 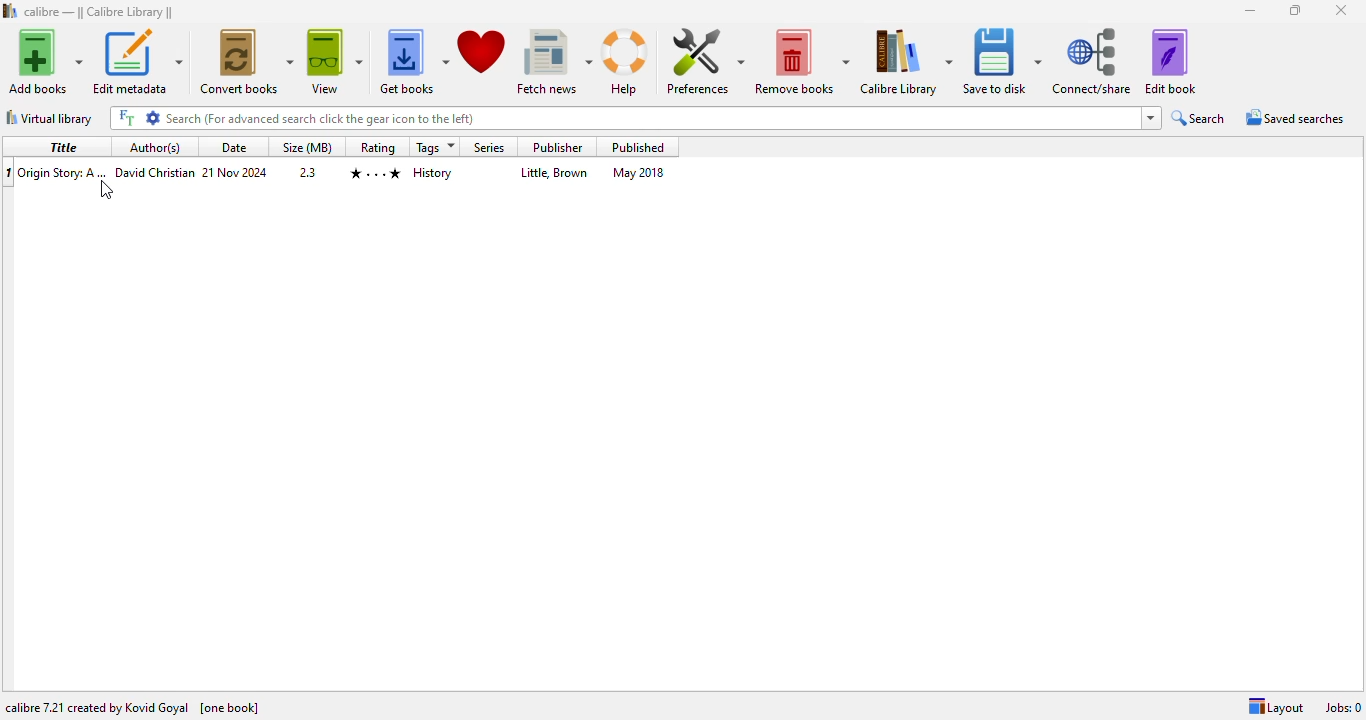 What do you see at coordinates (1153, 117) in the screenshot?
I see `dropdown` at bounding box center [1153, 117].